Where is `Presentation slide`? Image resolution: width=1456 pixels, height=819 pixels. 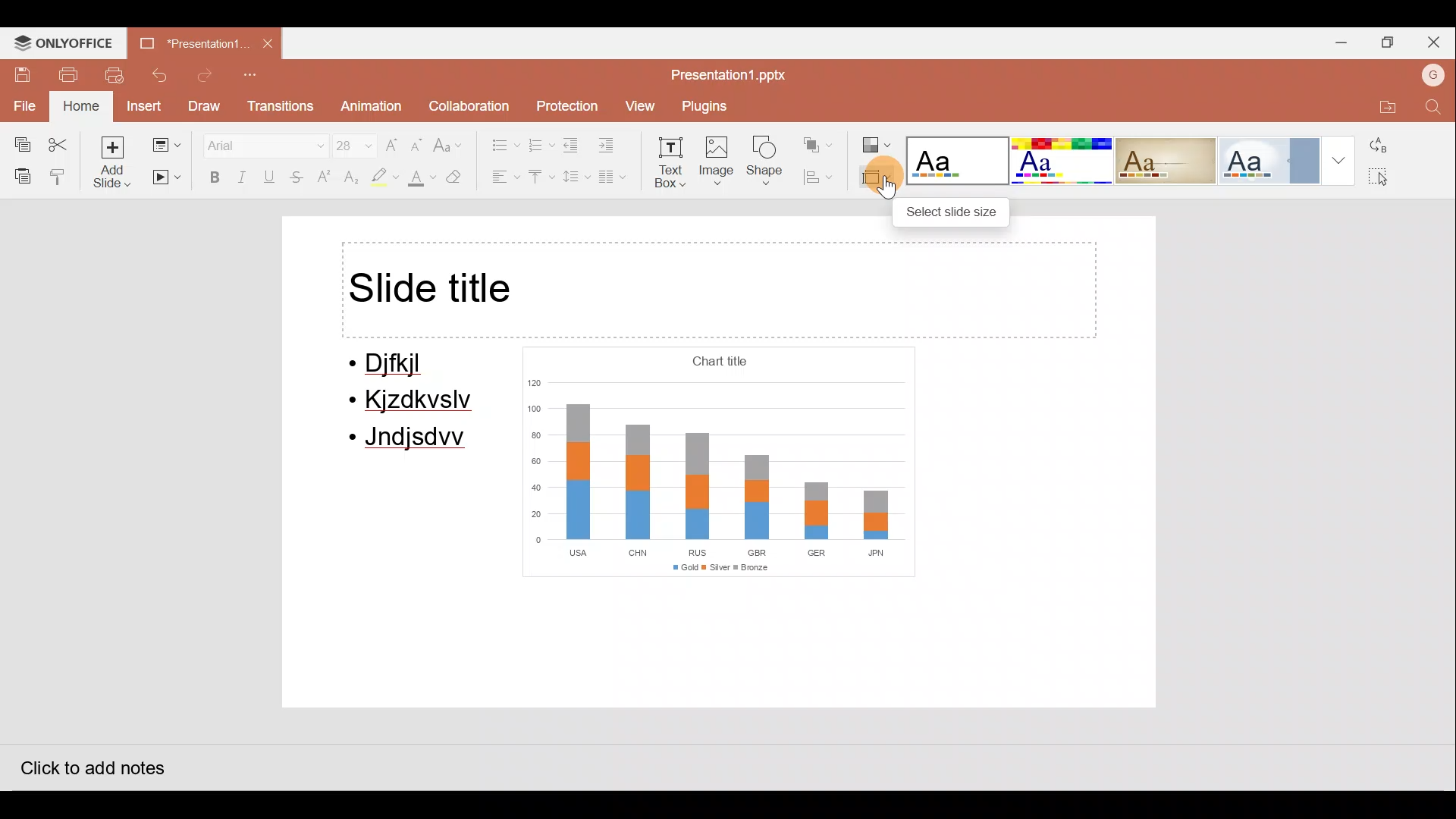
Presentation slide is located at coordinates (728, 469).